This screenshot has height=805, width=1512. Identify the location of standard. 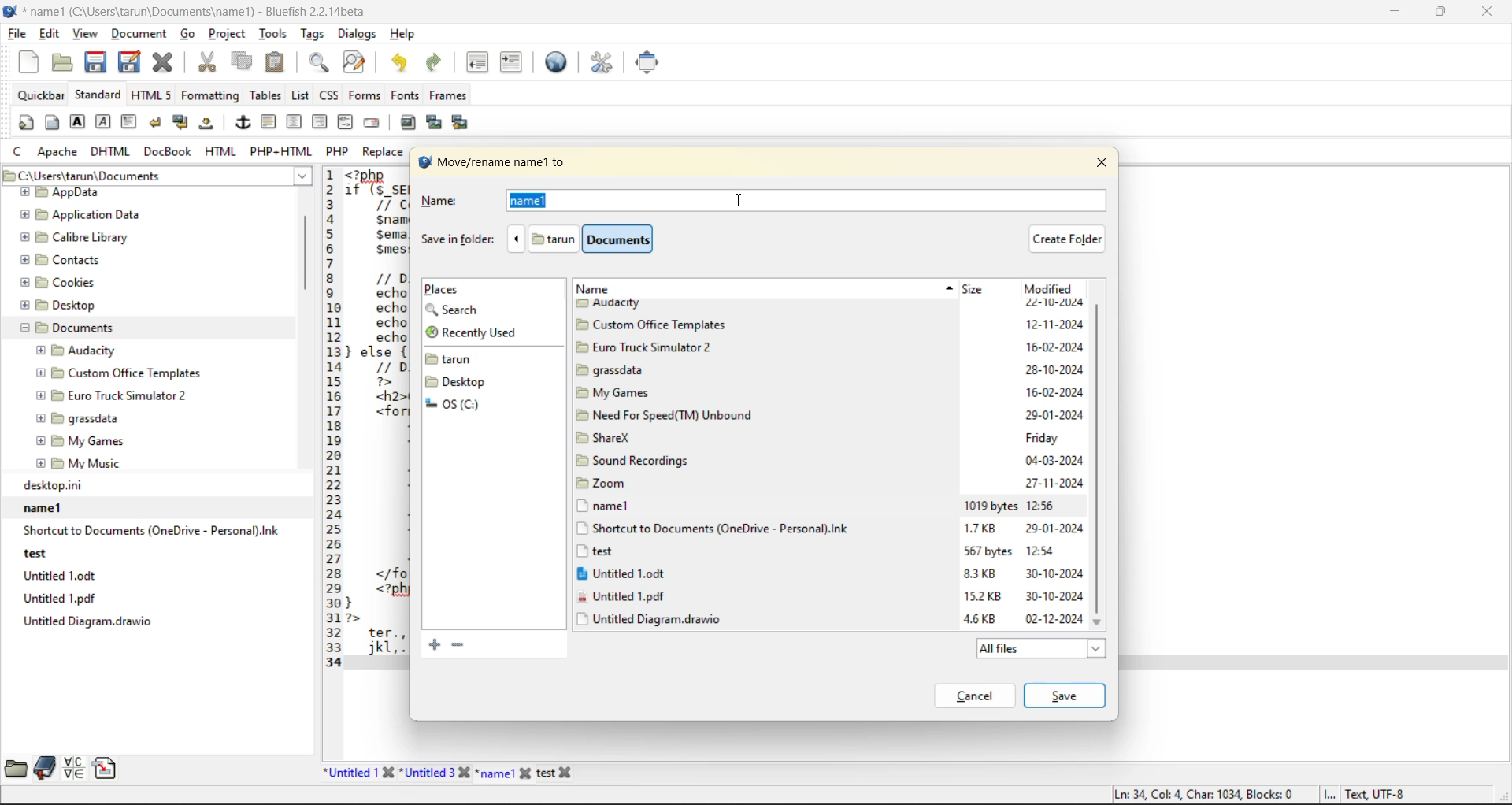
(99, 97).